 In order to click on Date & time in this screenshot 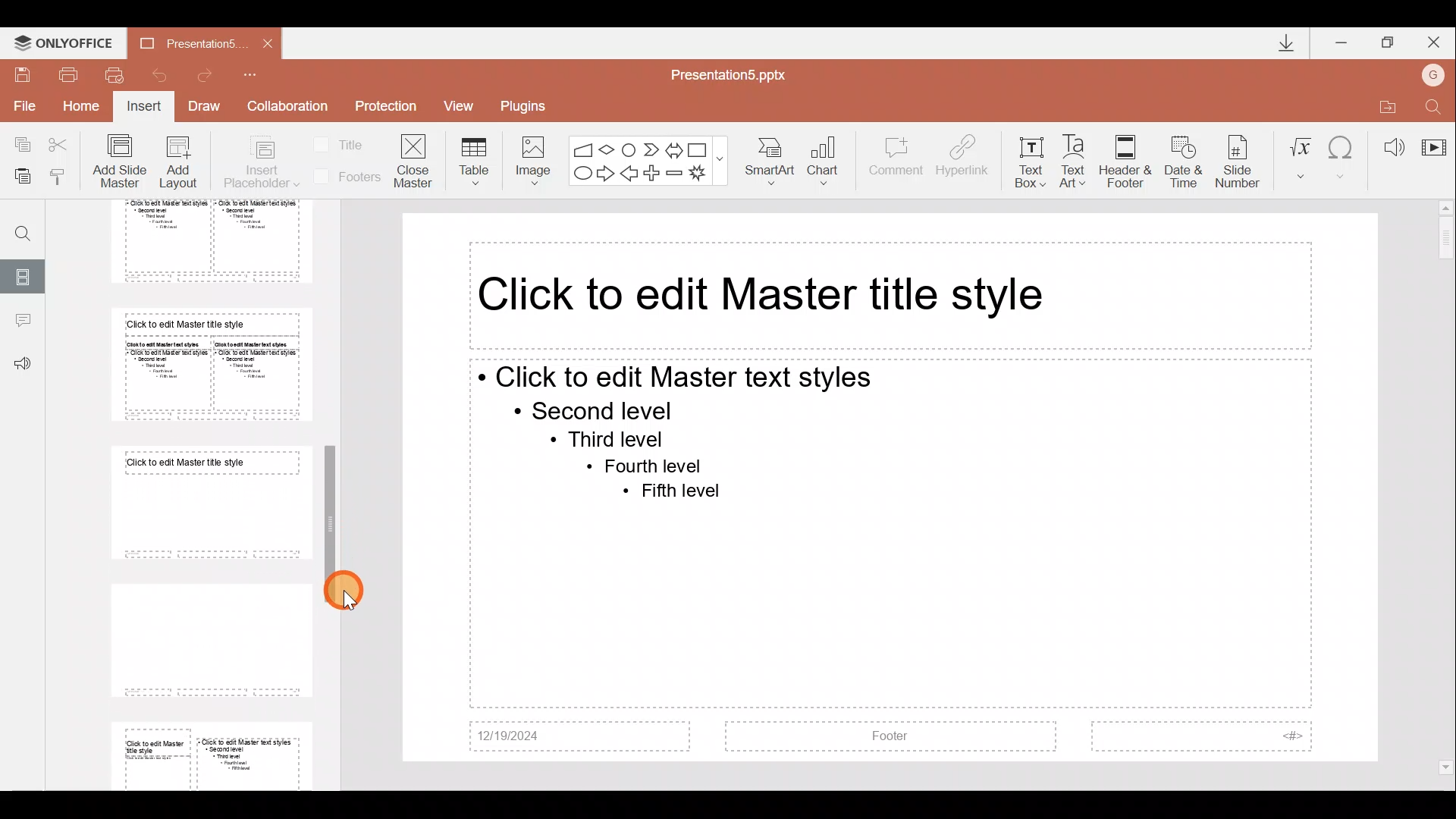, I will do `click(1180, 158)`.